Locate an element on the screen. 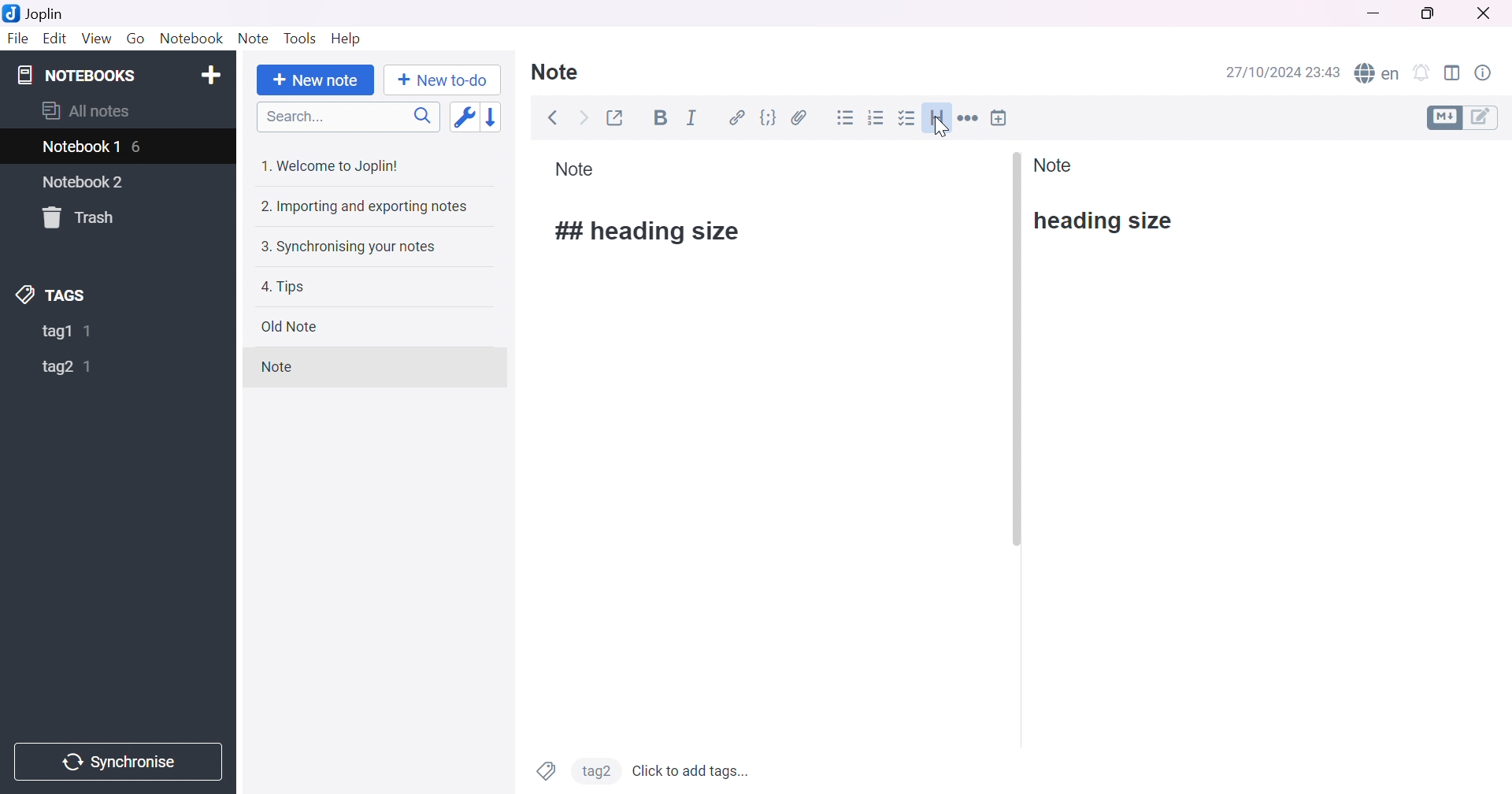  27/10/2024 is located at coordinates (1265, 73).